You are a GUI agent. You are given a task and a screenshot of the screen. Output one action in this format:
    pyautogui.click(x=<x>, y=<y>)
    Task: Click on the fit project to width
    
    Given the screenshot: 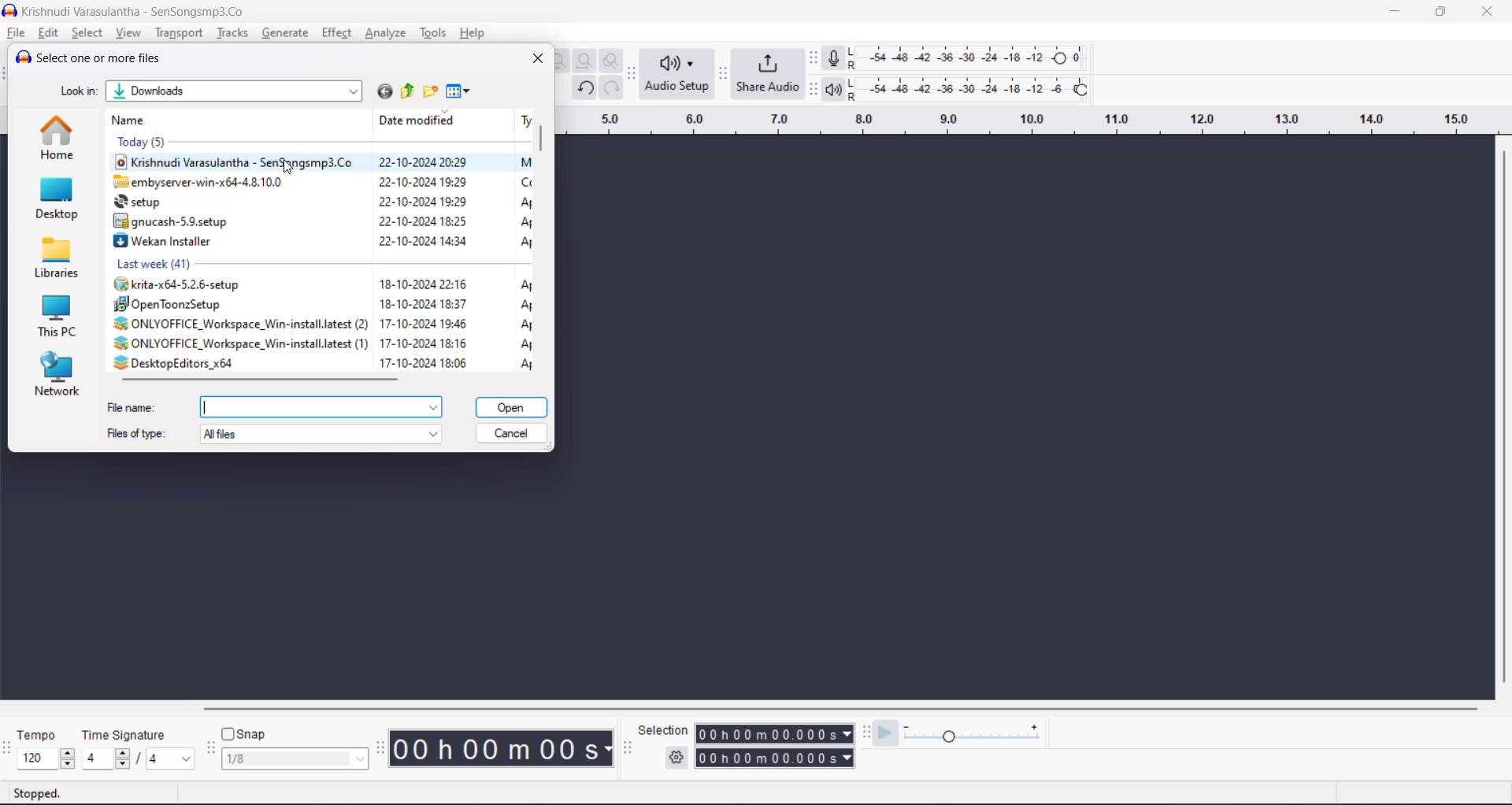 What is the action you would take?
    pyautogui.click(x=587, y=62)
    